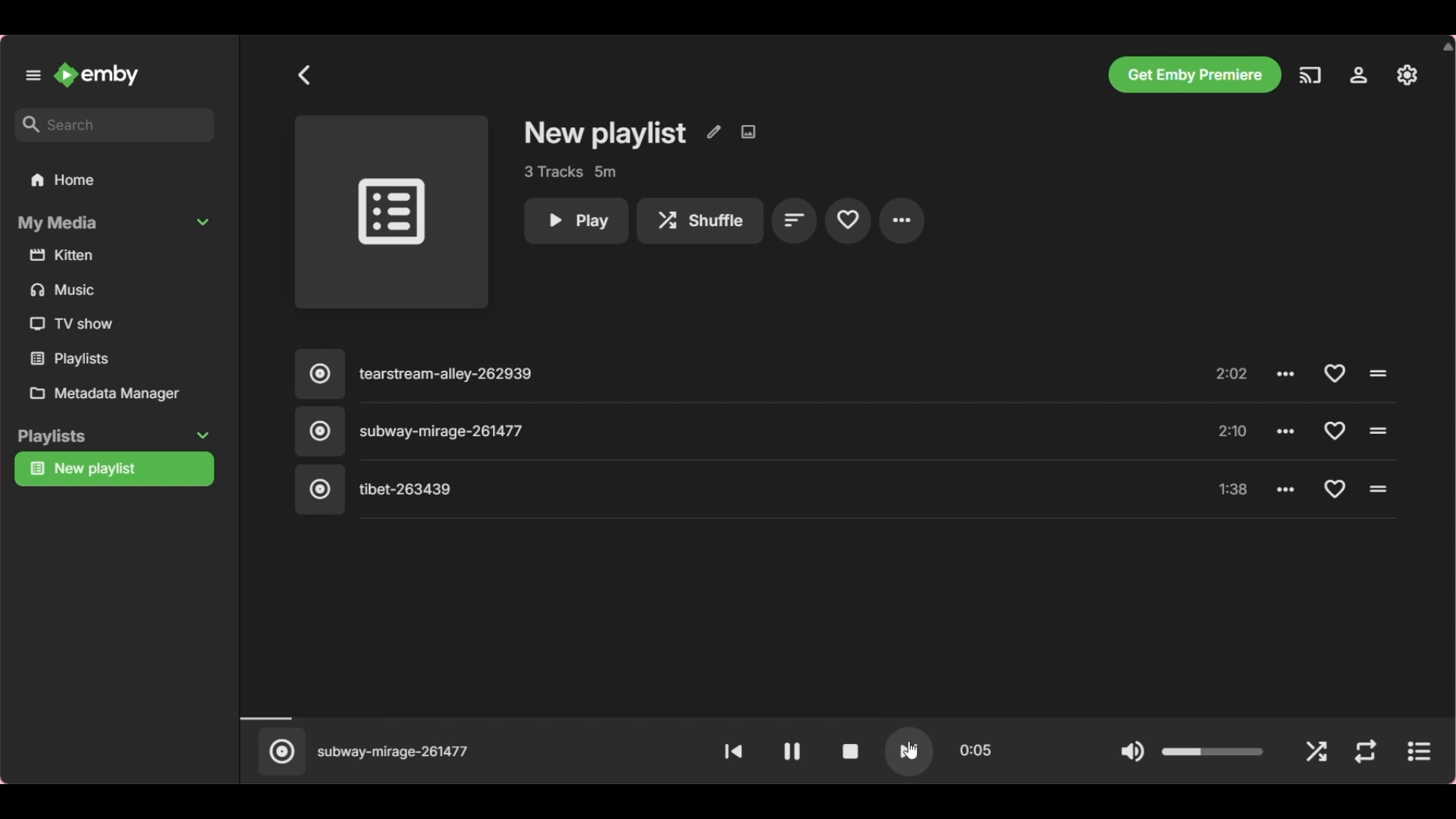 The height and width of the screenshot is (819, 1456). Describe the element at coordinates (834, 716) in the screenshot. I see `Timeline of current song` at that location.